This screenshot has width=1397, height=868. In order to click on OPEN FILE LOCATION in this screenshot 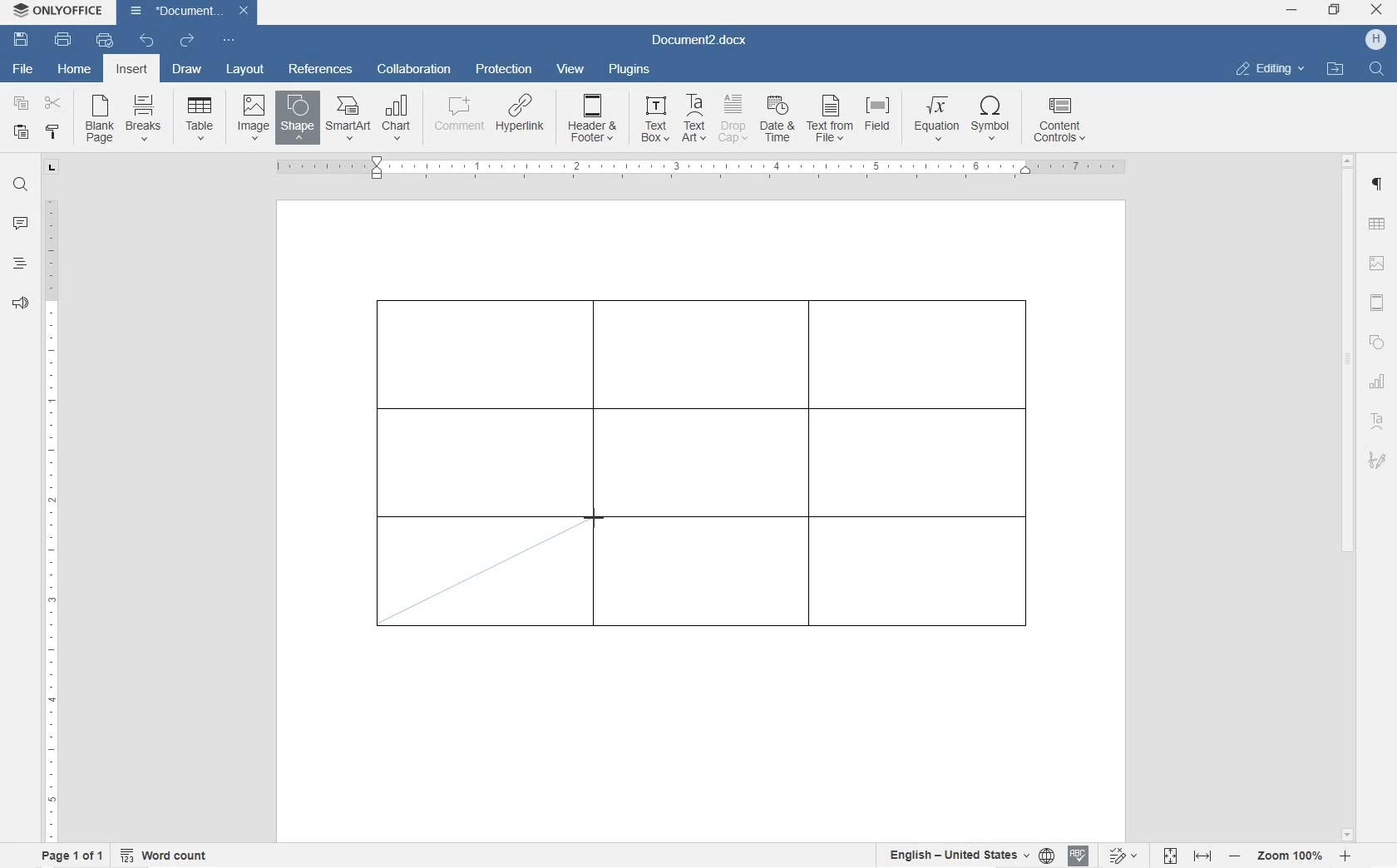, I will do `click(1337, 70)`.